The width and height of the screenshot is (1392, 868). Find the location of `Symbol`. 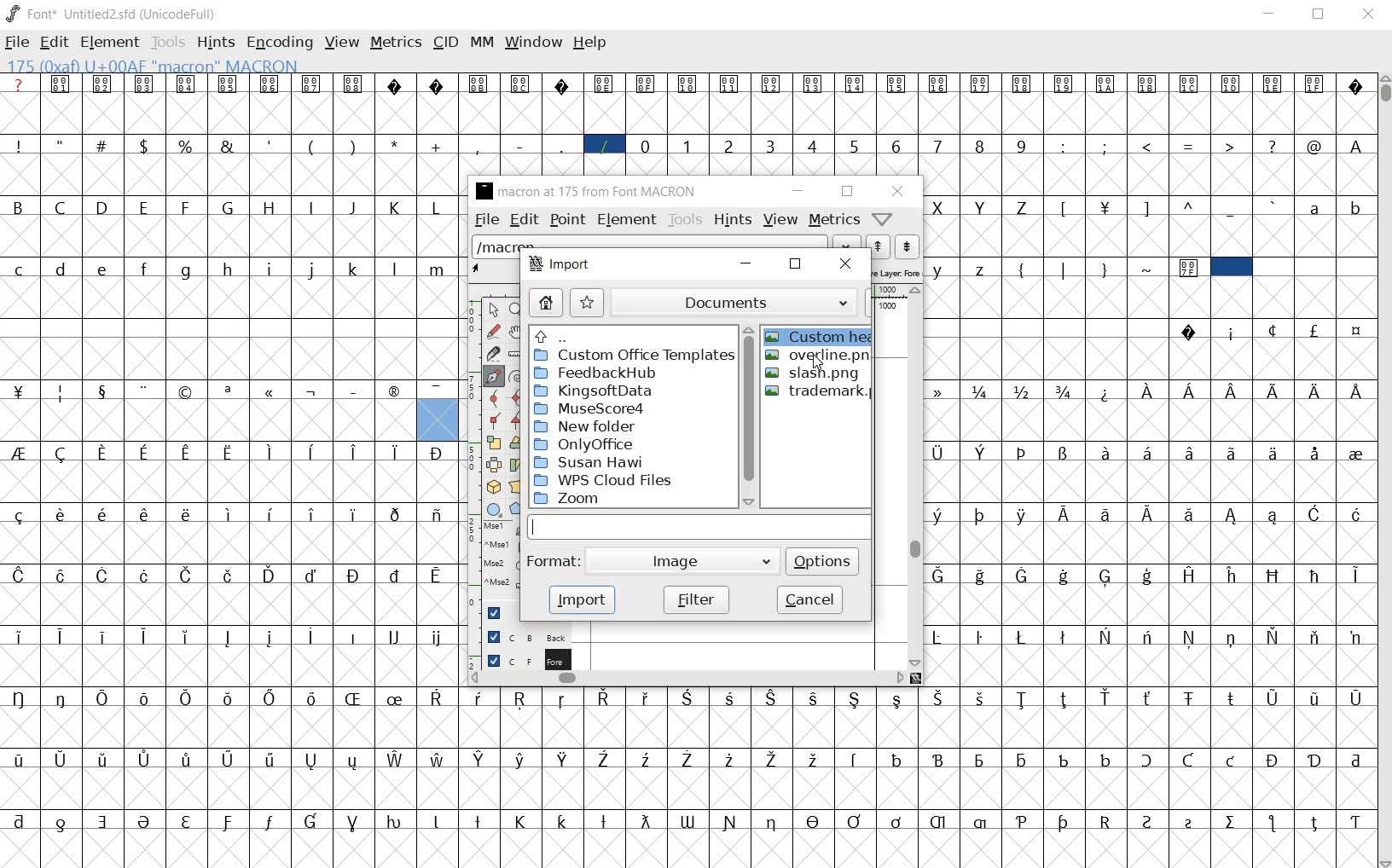

Symbol is located at coordinates (353, 391).